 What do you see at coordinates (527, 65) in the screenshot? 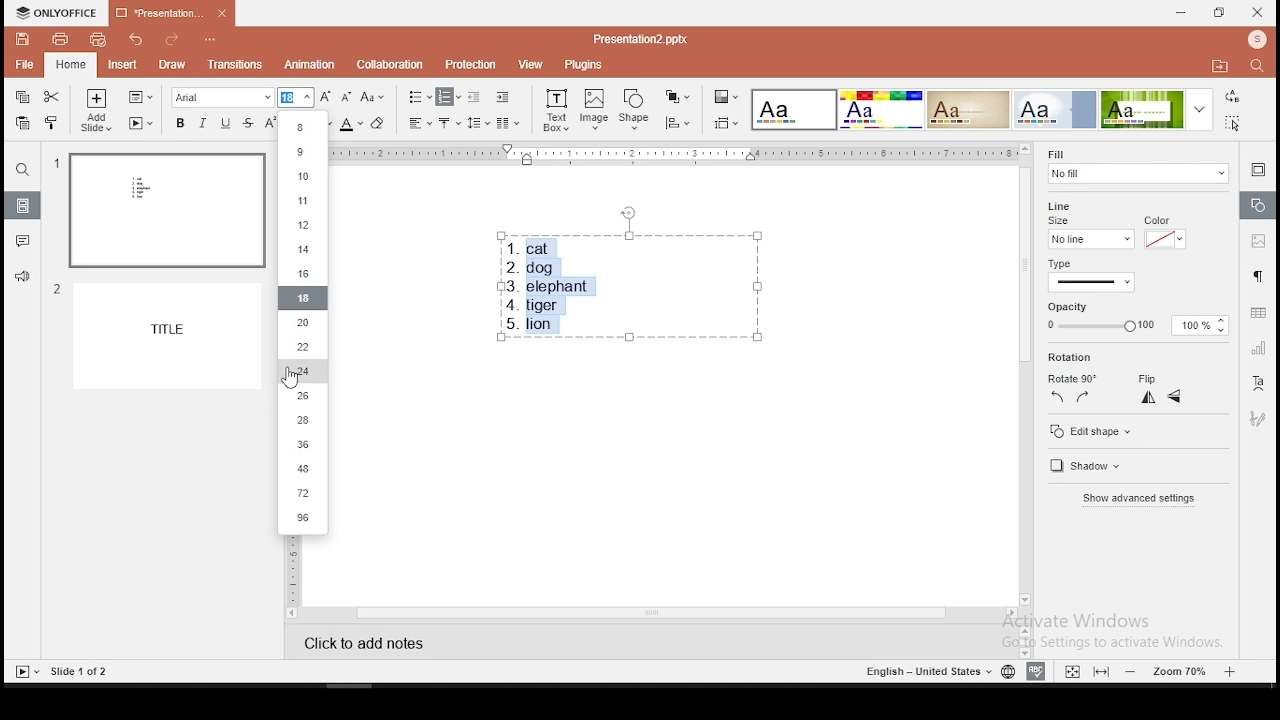
I see `view` at bounding box center [527, 65].